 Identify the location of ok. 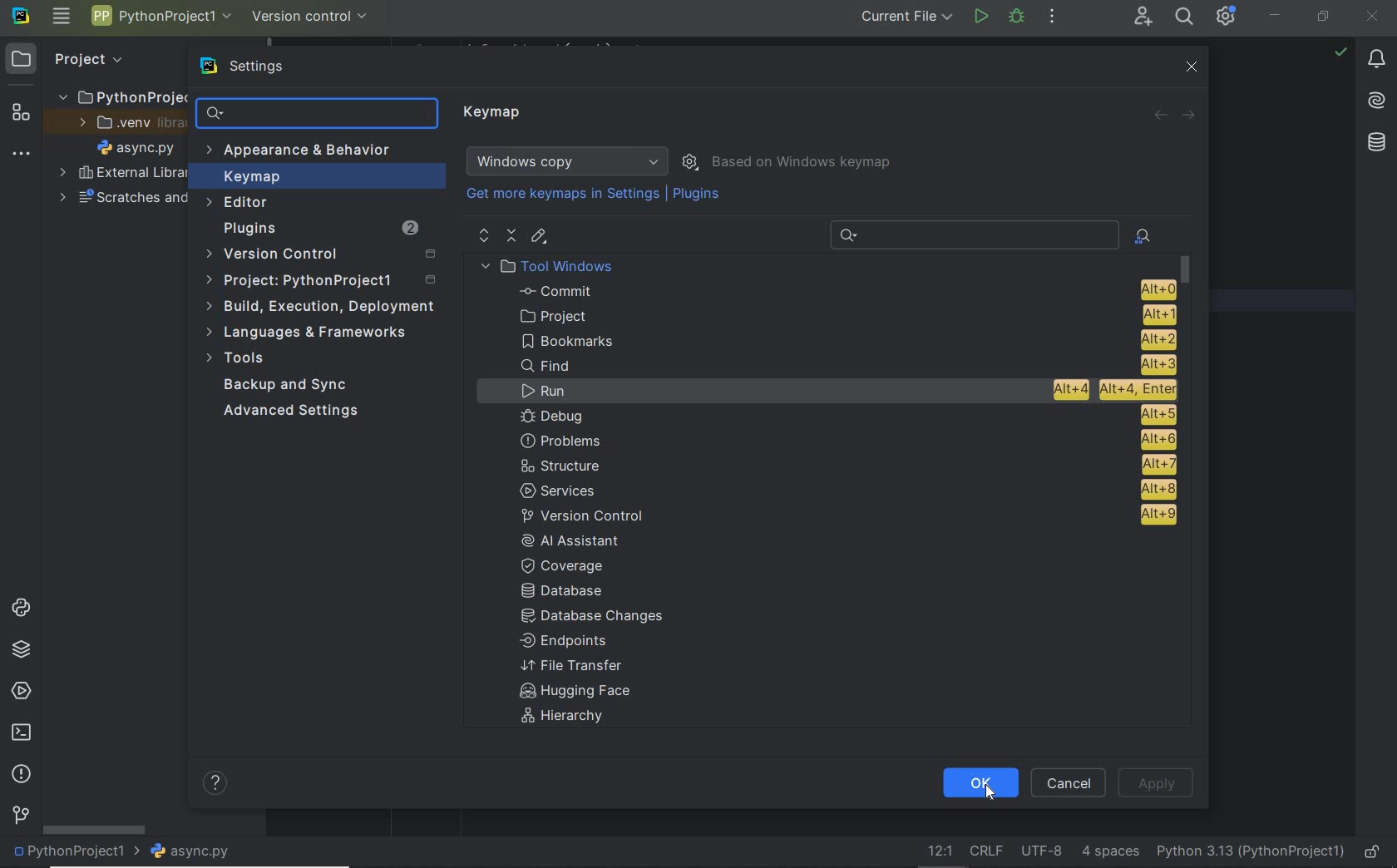
(979, 782).